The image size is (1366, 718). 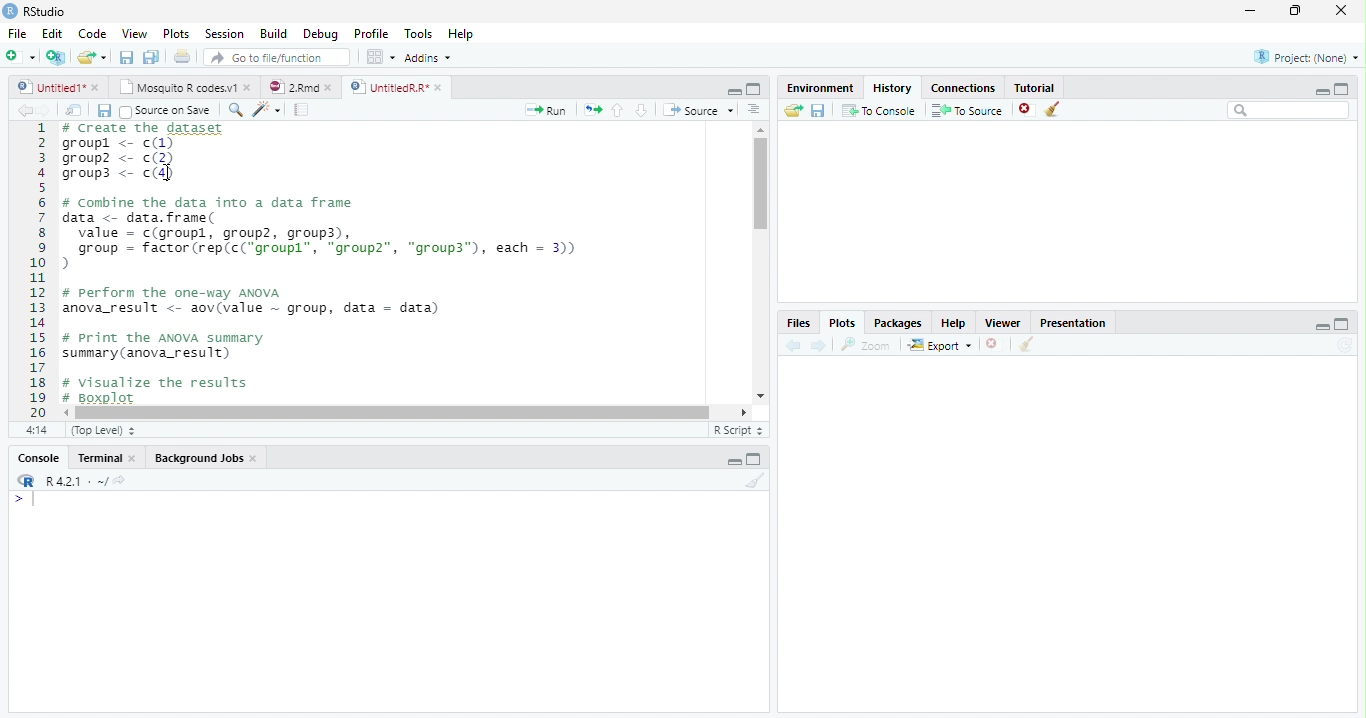 What do you see at coordinates (759, 483) in the screenshot?
I see `Clear console` at bounding box center [759, 483].